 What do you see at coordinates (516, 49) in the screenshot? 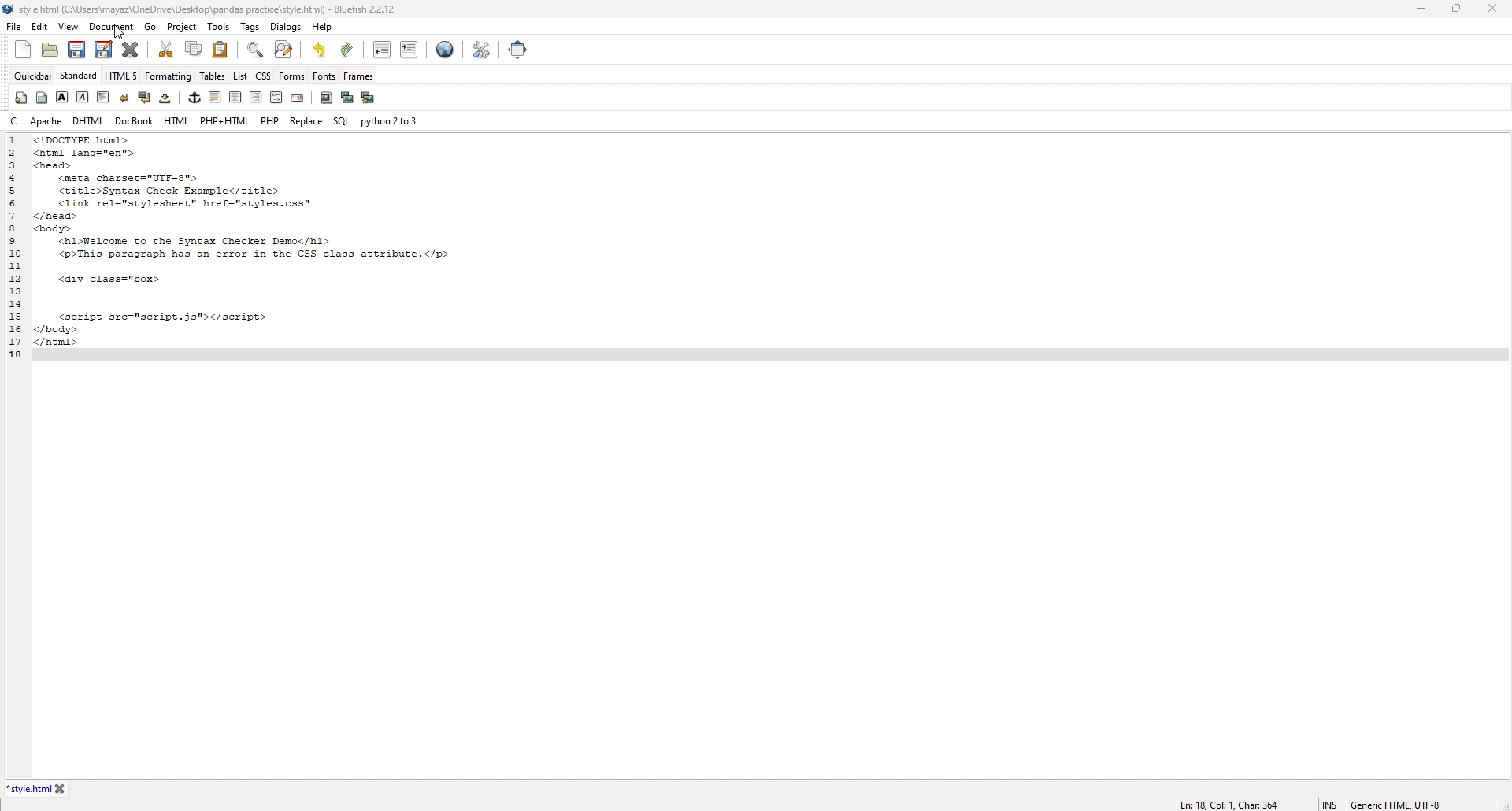
I see `full screen` at bounding box center [516, 49].